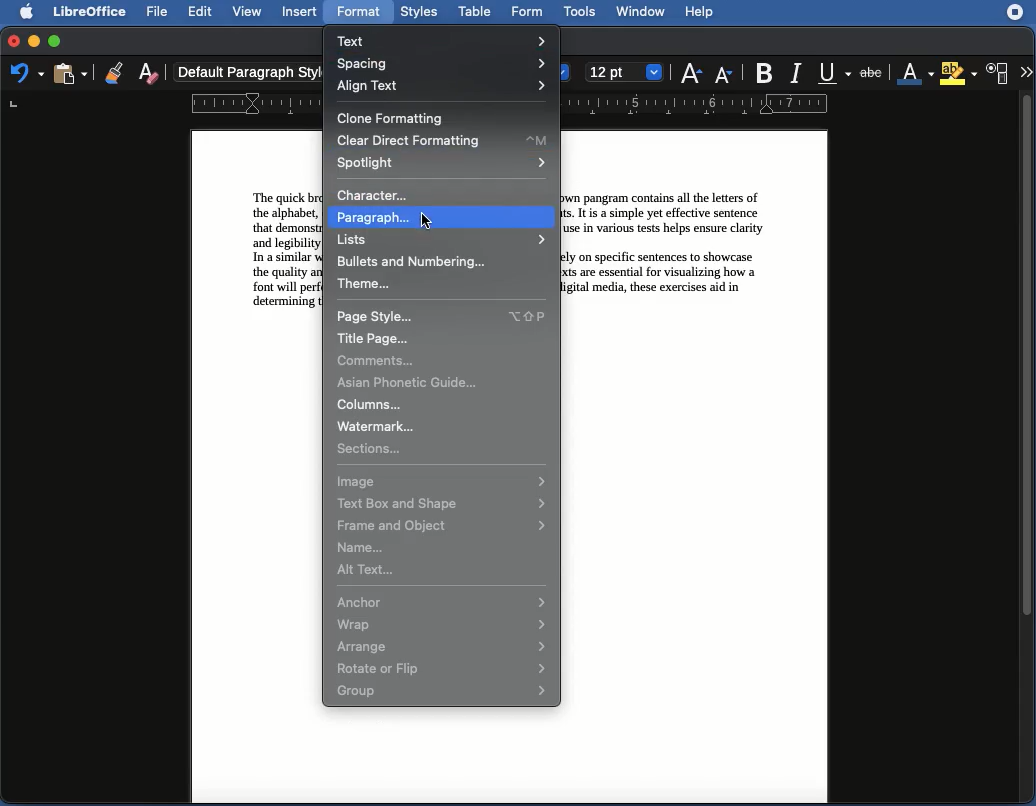 The height and width of the screenshot is (806, 1036). What do you see at coordinates (427, 262) in the screenshot?
I see `Bullters and numbering` at bounding box center [427, 262].